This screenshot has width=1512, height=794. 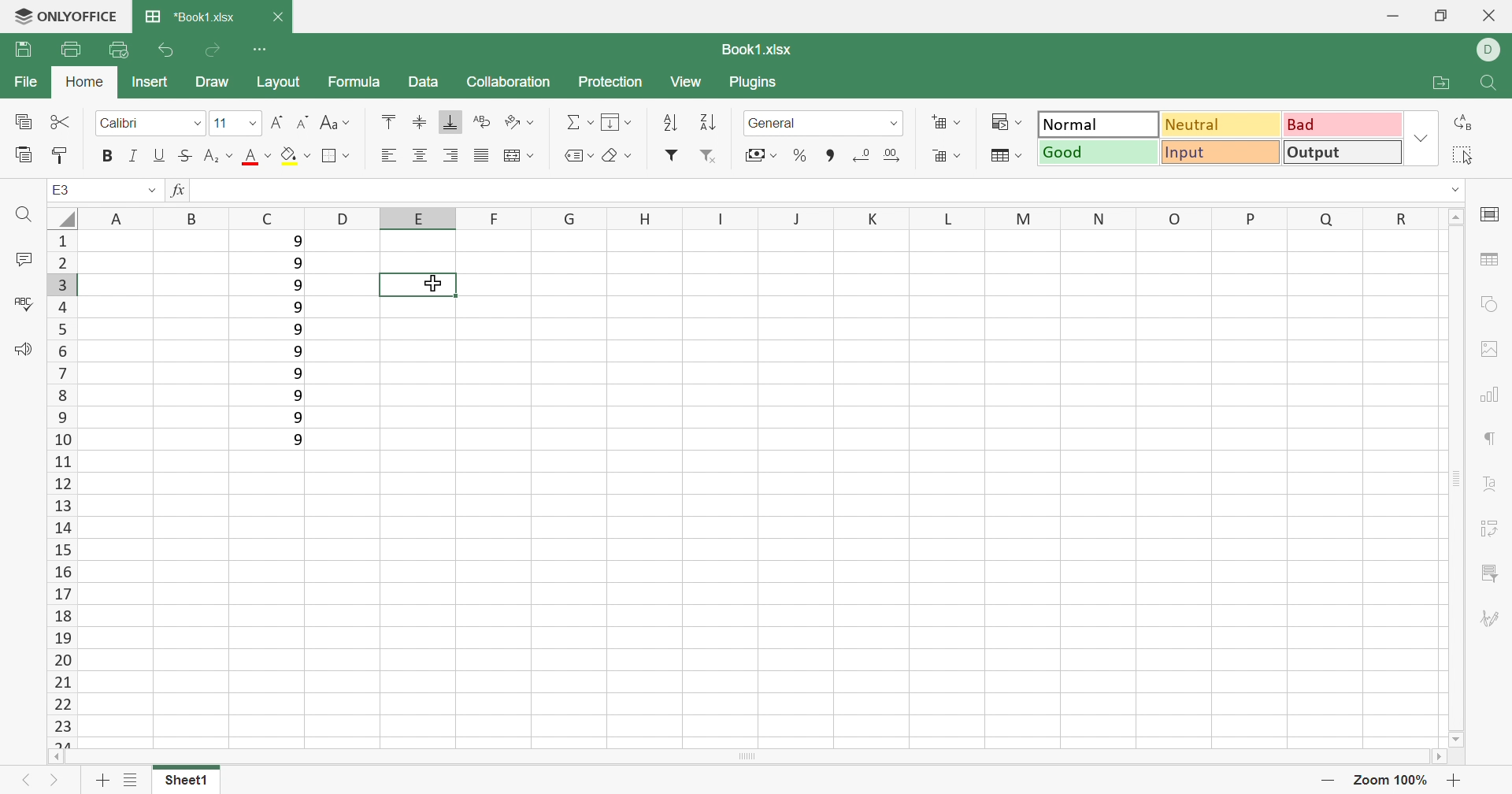 I want to click on Home, so click(x=83, y=82).